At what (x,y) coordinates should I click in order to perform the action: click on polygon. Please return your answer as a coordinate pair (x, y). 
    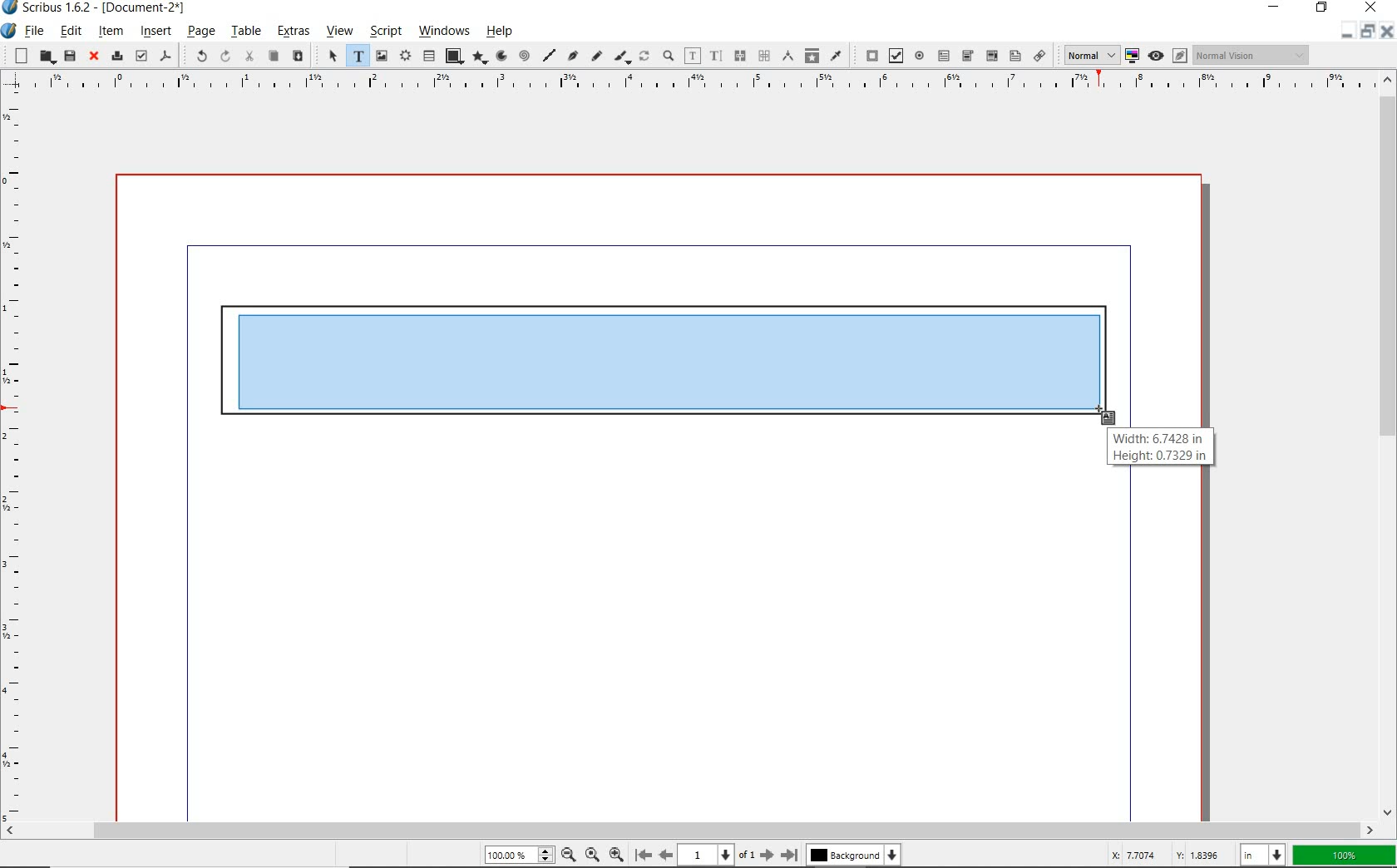
    Looking at the image, I should click on (481, 58).